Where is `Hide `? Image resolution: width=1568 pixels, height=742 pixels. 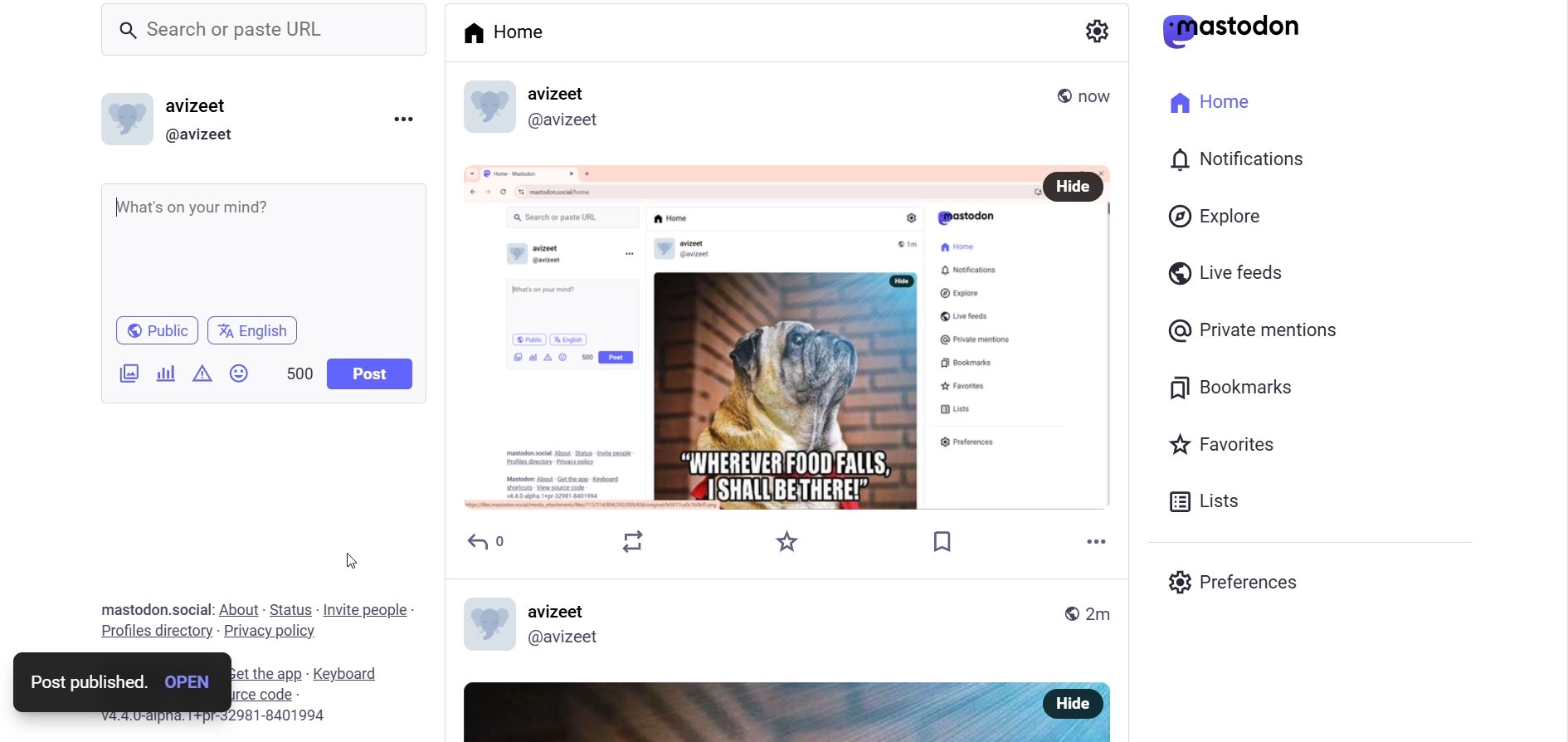
Hide  is located at coordinates (1080, 703).